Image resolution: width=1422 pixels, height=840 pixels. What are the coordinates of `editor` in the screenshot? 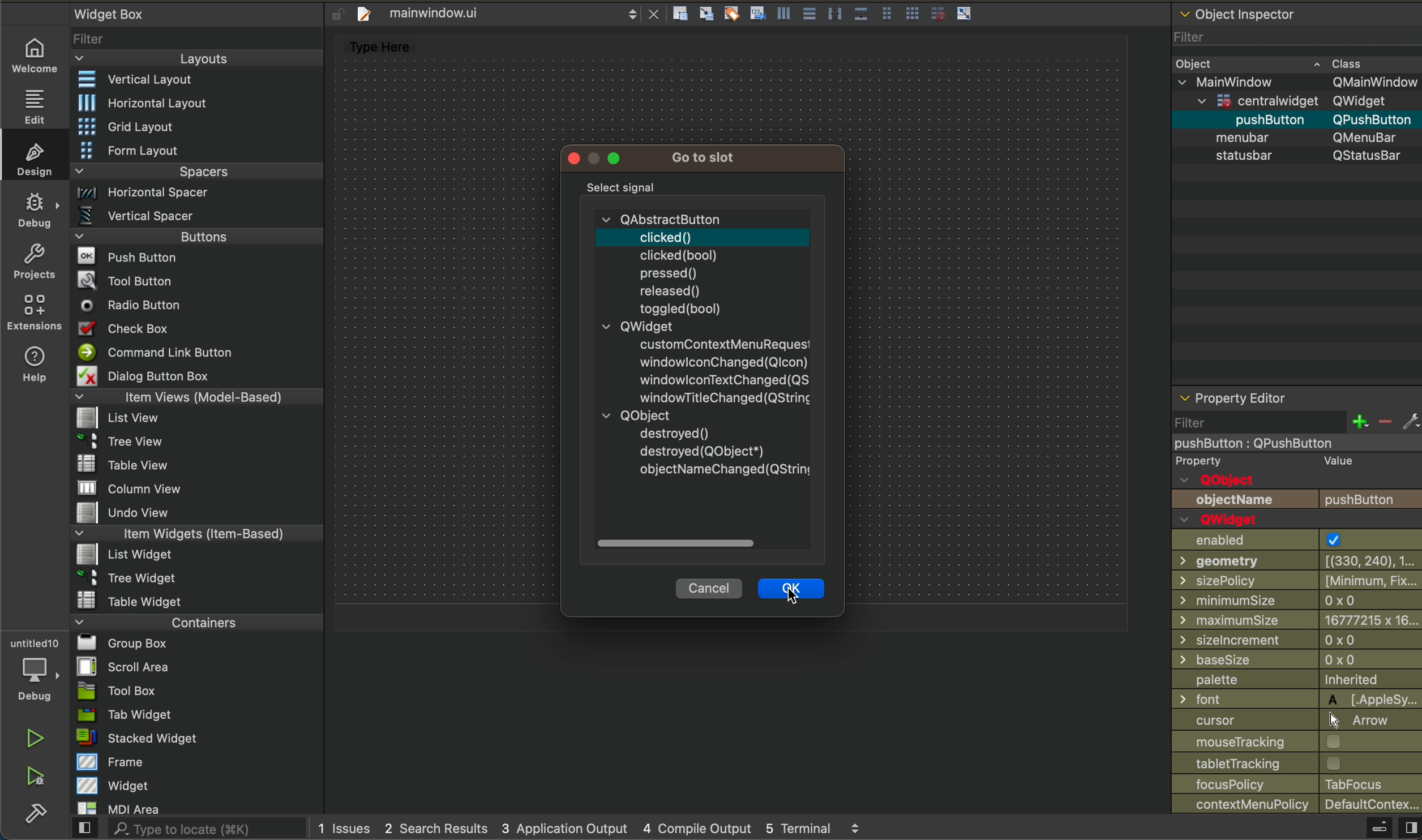 It's located at (374, 44).